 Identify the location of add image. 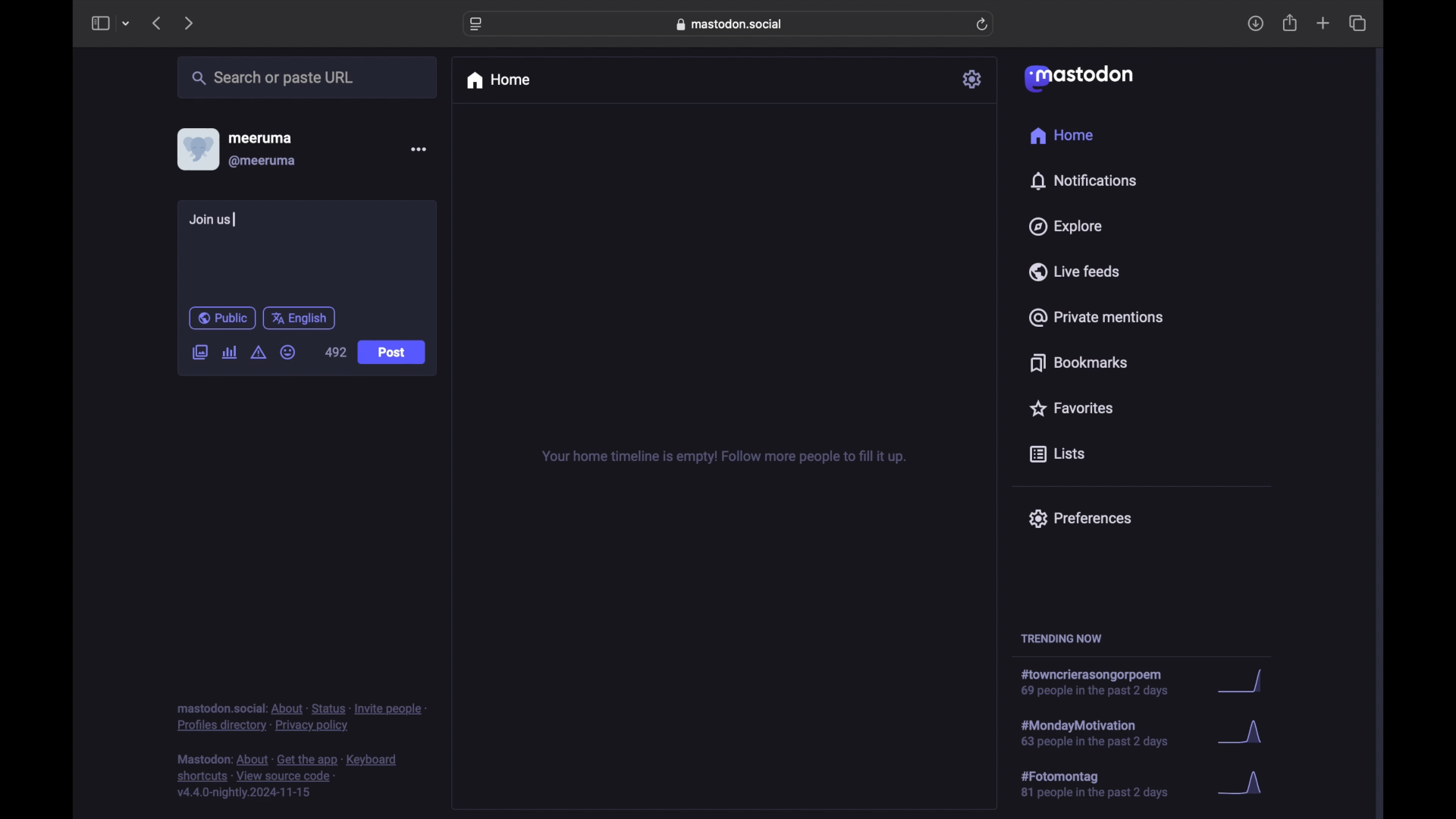
(199, 353).